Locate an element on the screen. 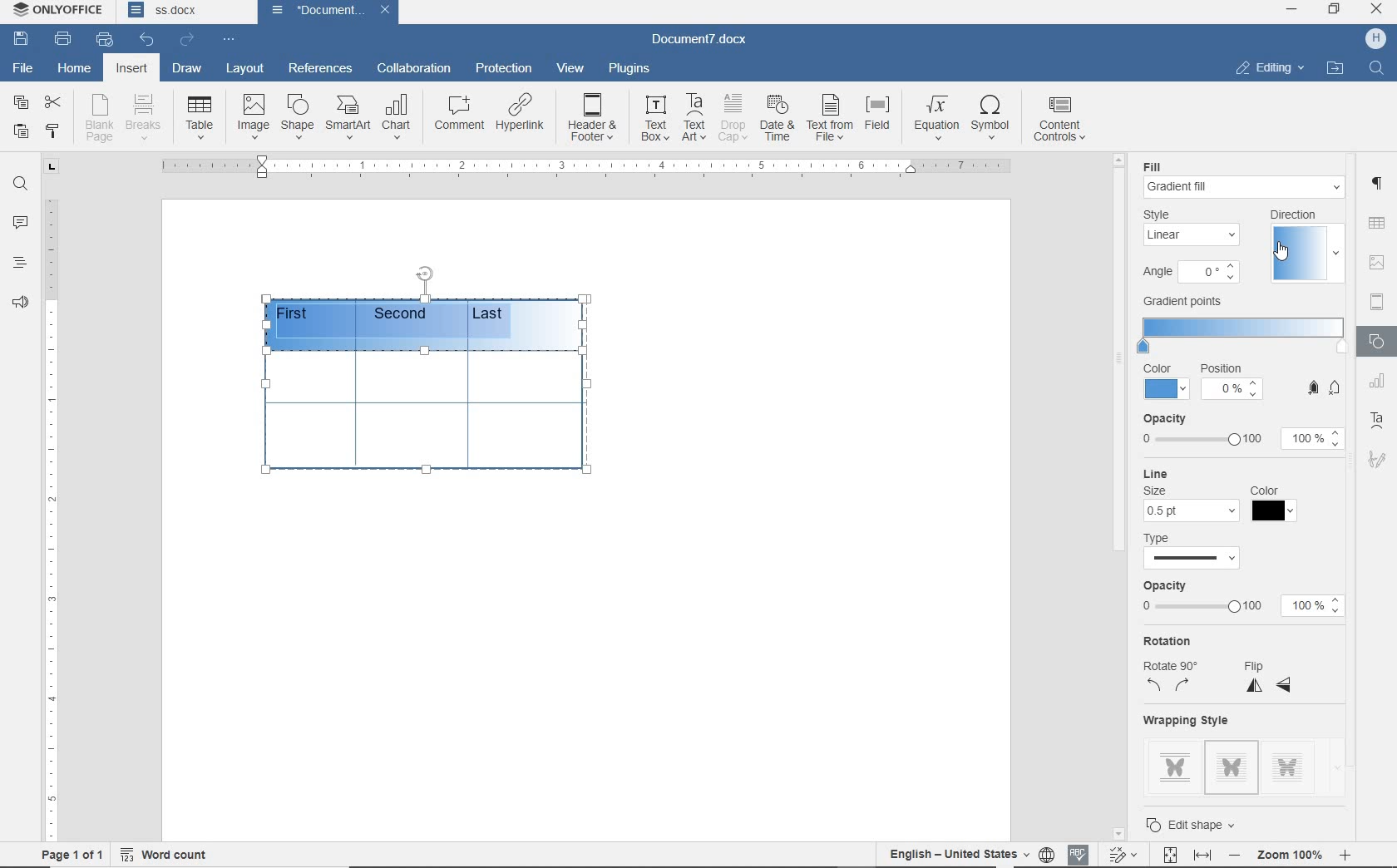 This screenshot has height=868, width=1397. position table is located at coordinates (424, 272).